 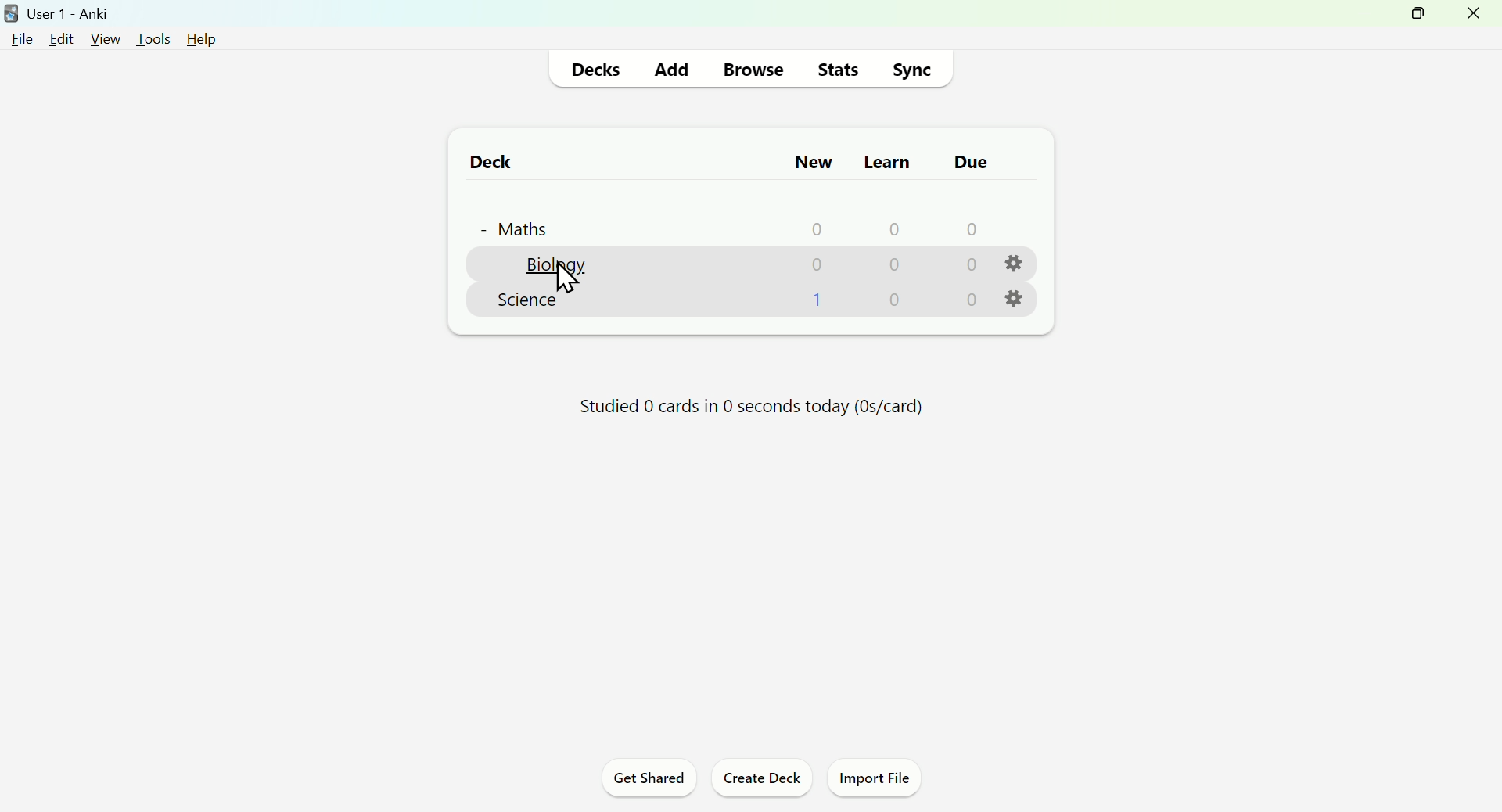 What do you see at coordinates (758, 780) in the screenshot?
I see `Create Deck` at bounding box center [758, 780].